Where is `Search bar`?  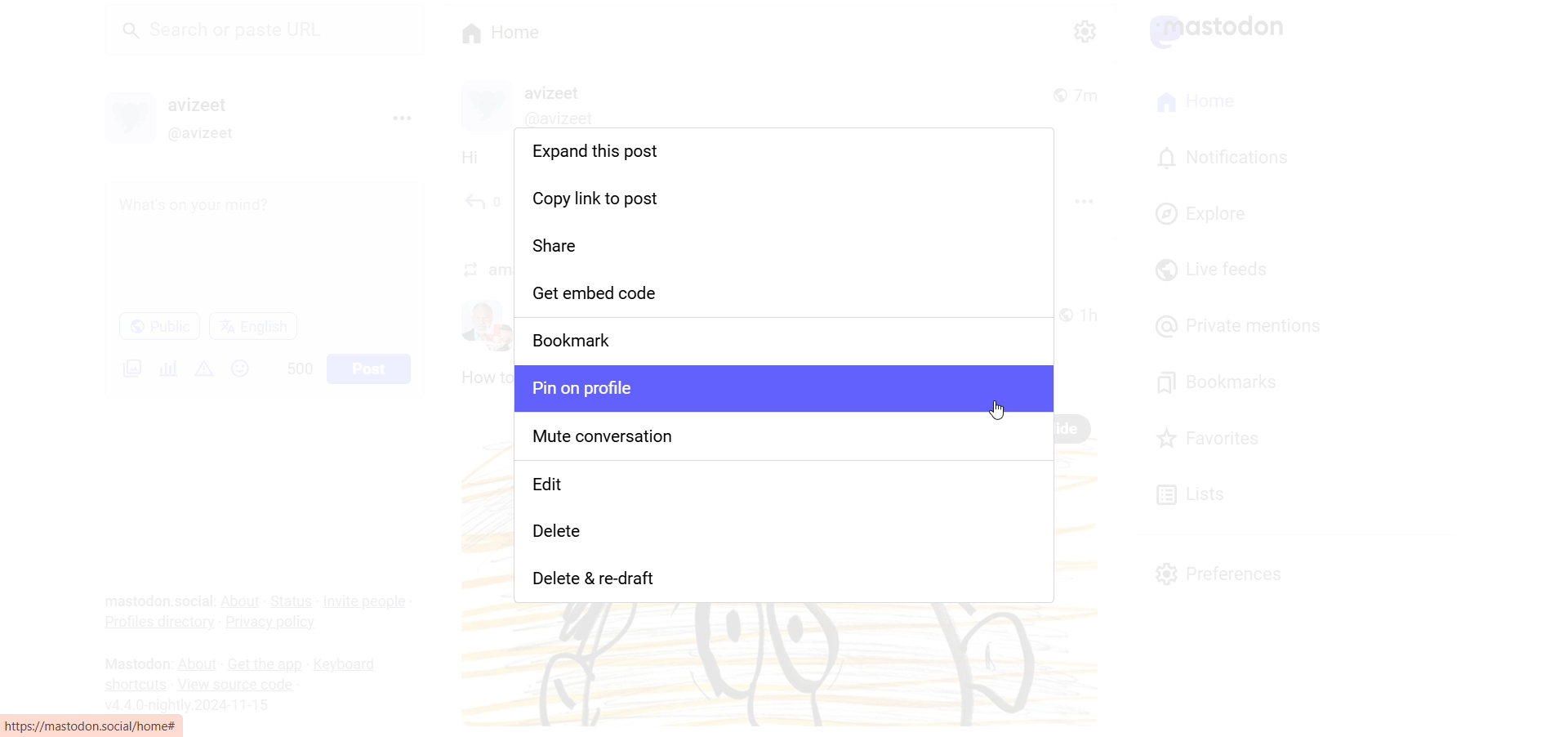 Search bar is located at coordinates (270, 35).